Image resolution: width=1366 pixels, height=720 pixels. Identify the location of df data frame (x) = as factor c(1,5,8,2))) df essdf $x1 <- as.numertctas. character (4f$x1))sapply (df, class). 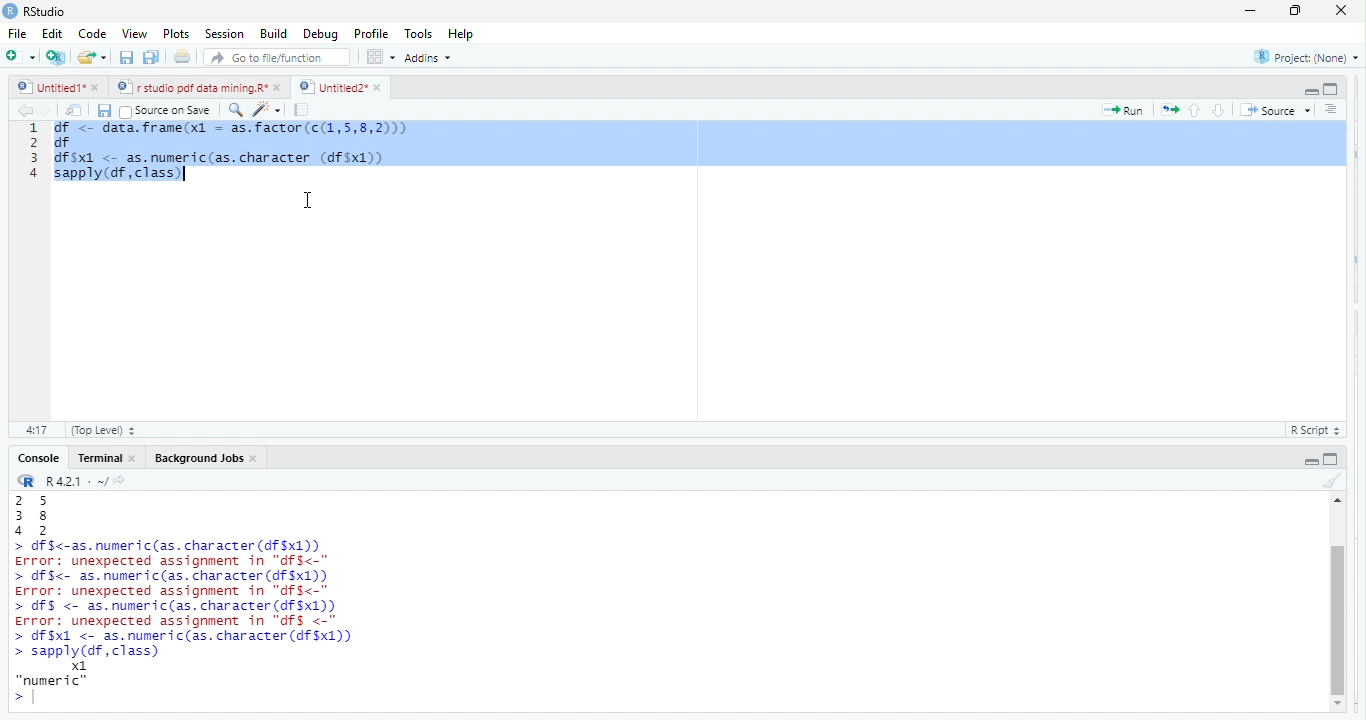
(706, 152).